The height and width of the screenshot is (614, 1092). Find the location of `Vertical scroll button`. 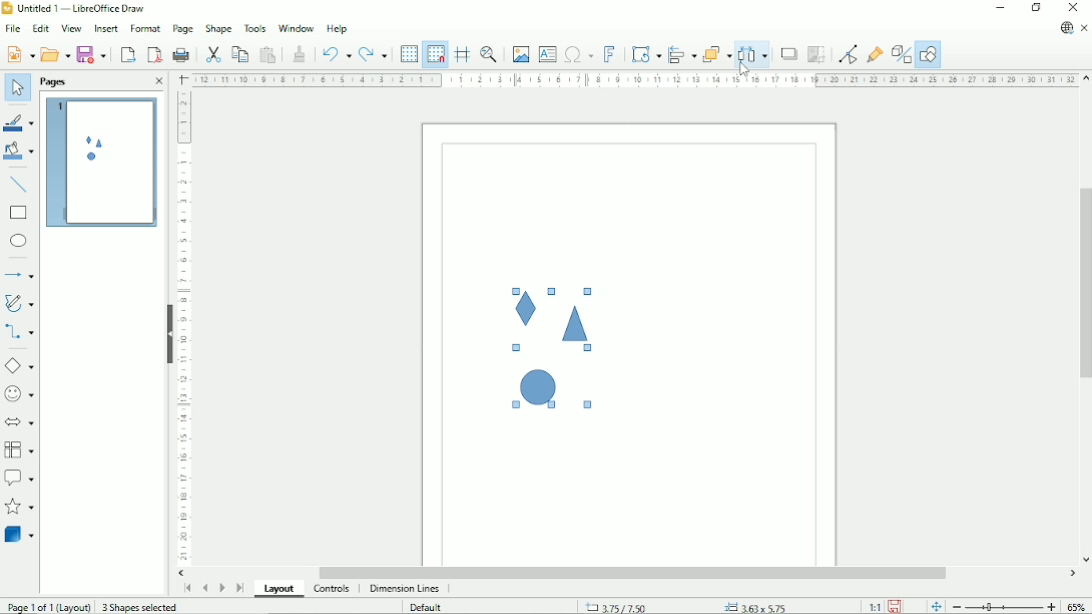

Vertical scroll button is located at coordinates (1085, 79).